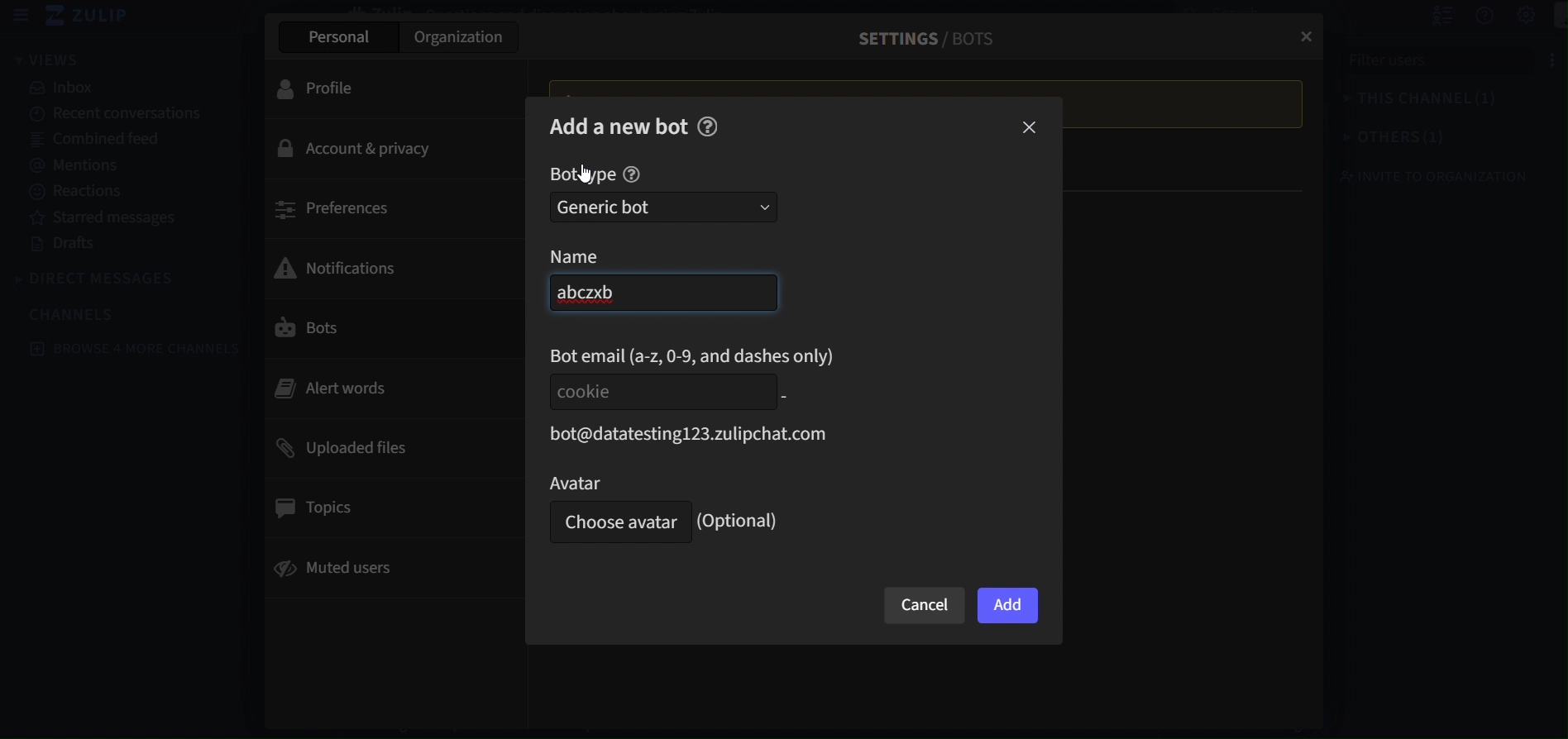 This screenshot has height=739, width=1568. What do you see at coordinates (1302, 31) in the screenshot?
I see `close` at bounding box center [1302, 31].